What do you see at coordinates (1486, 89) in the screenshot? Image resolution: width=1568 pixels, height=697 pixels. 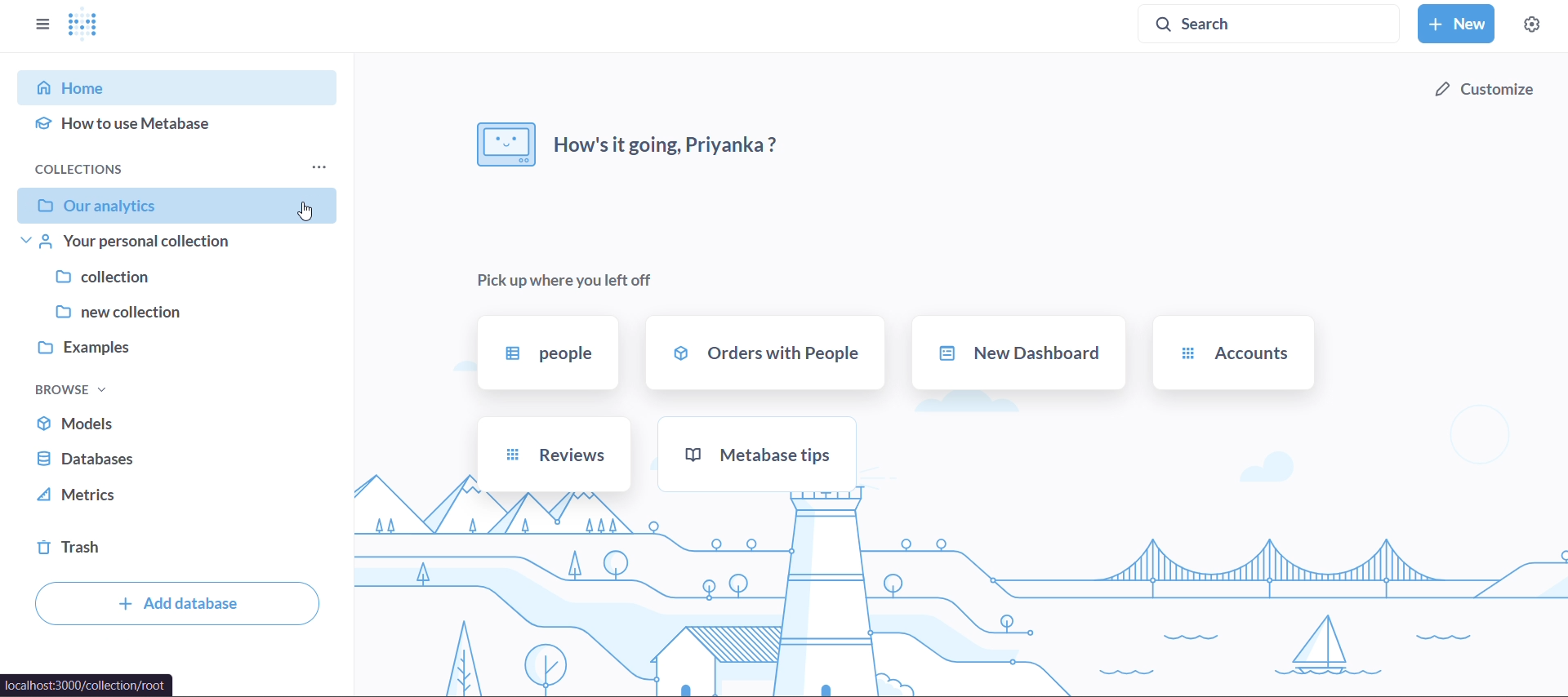 I see `customize` at bounding box center [1486, 89].